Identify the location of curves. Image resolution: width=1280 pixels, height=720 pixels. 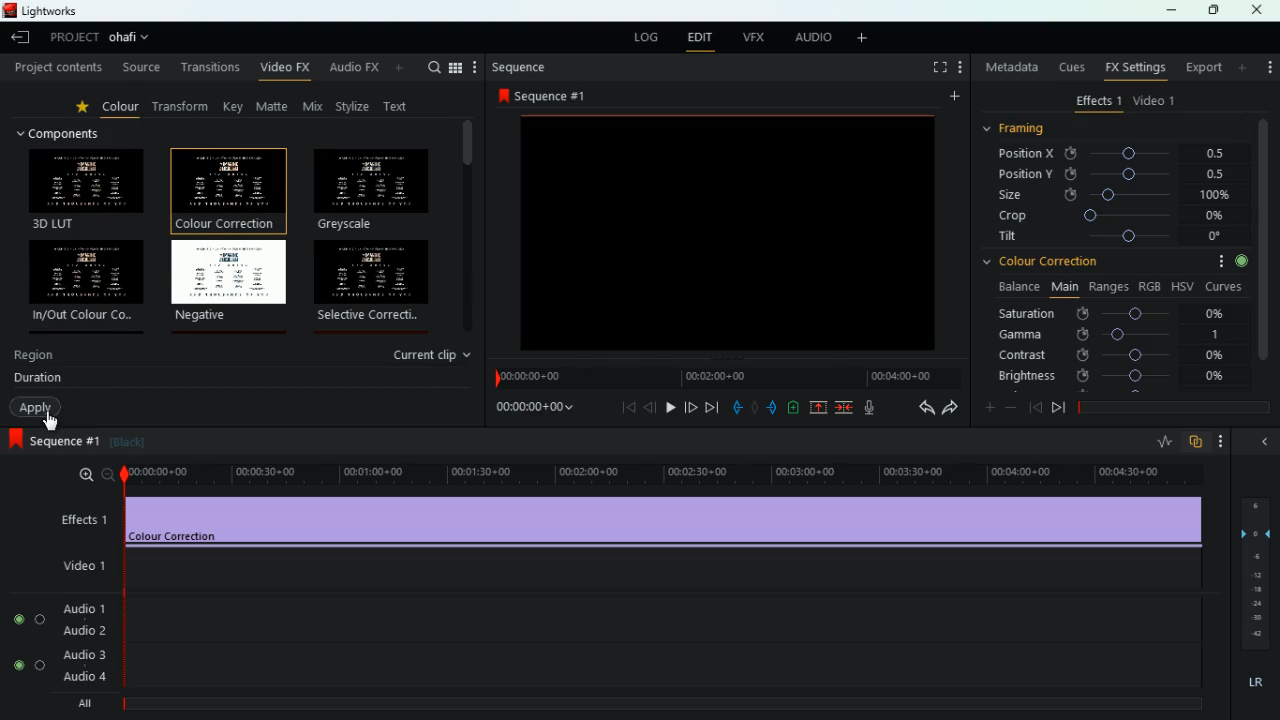
(1227, 285).